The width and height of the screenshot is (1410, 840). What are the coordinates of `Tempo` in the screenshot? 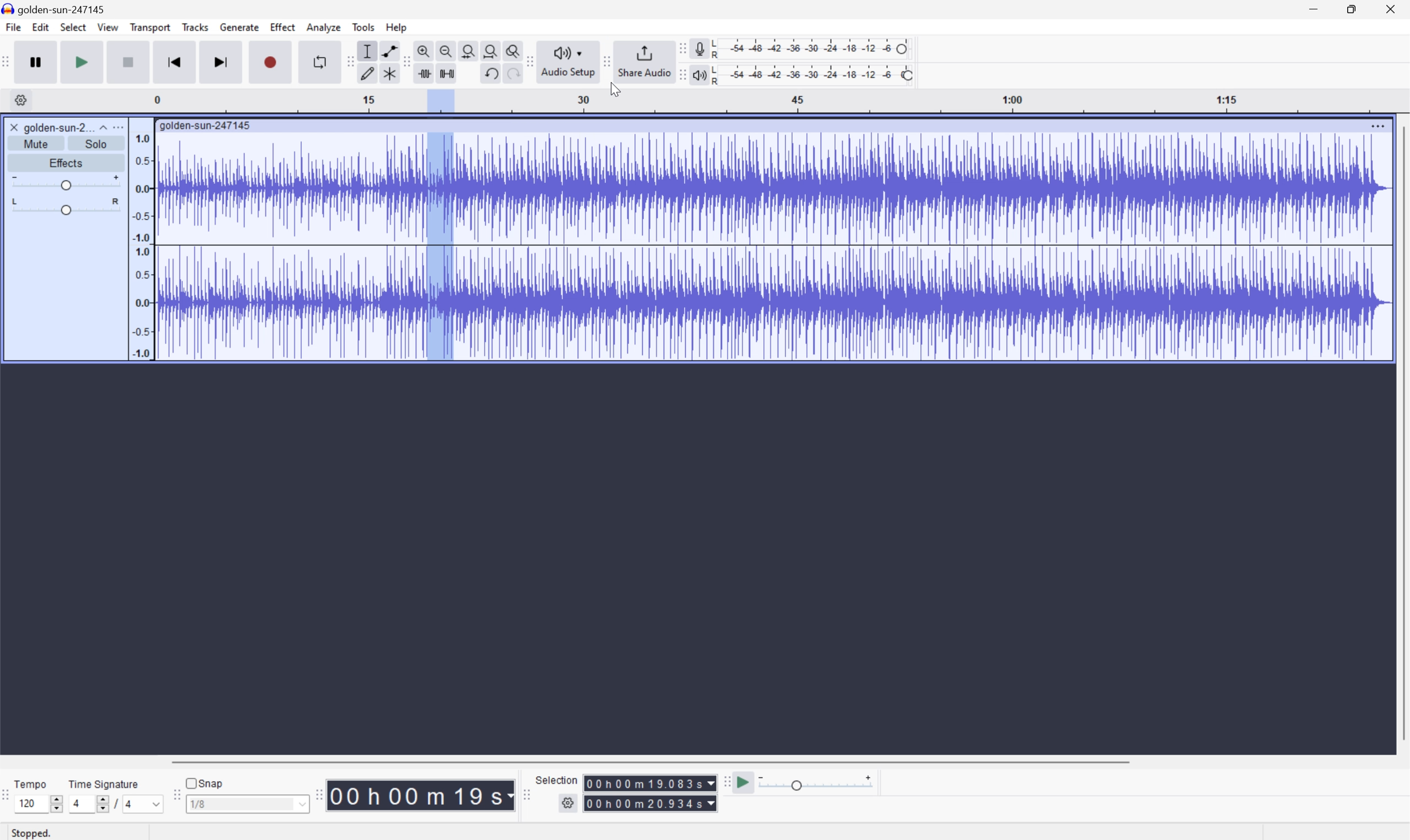 It's located at (30, 783).